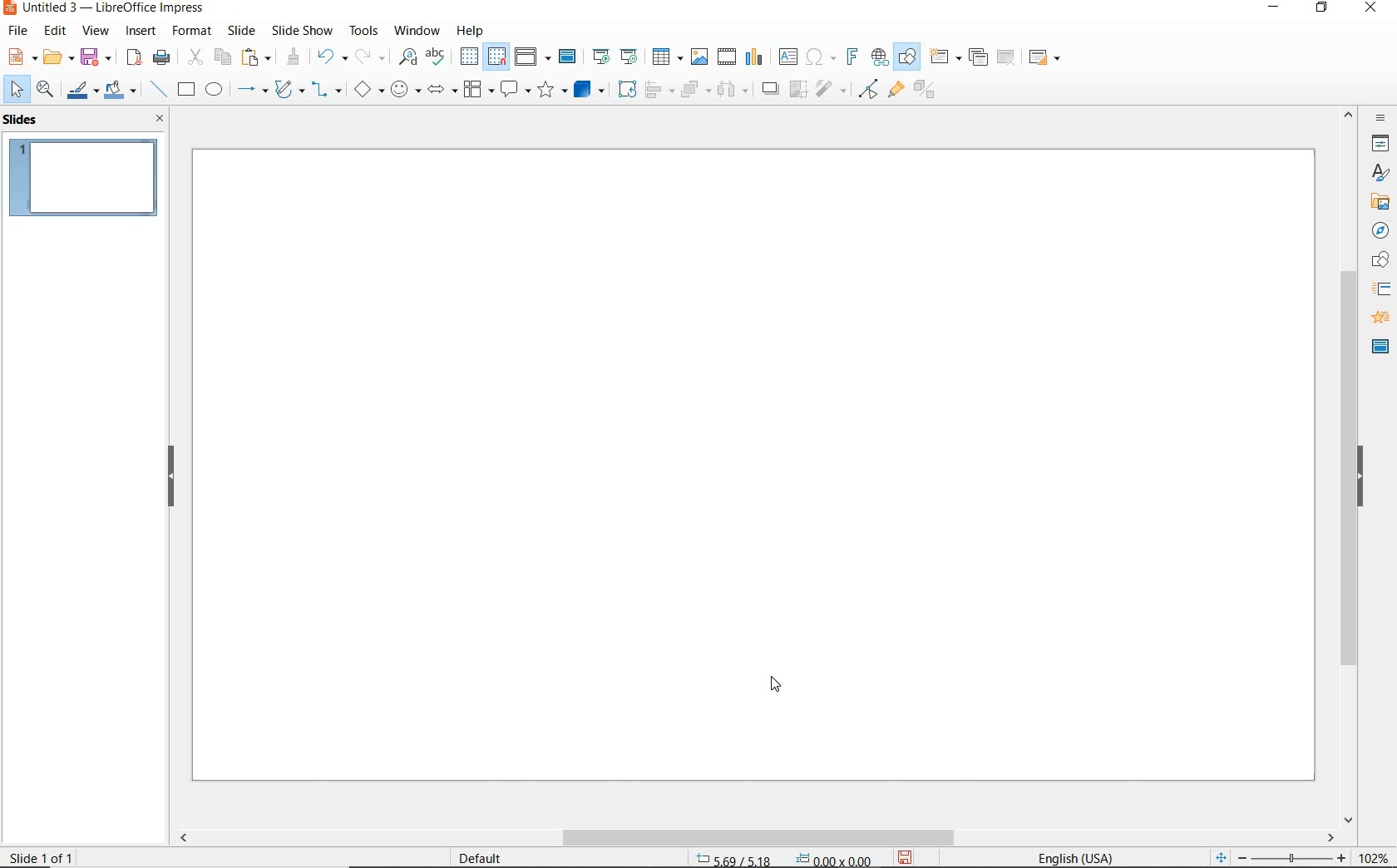  What do you see at coordinates (588, 91) in the screenshot?
I see `3D OBJECTS` at bounding box center [588, 91].